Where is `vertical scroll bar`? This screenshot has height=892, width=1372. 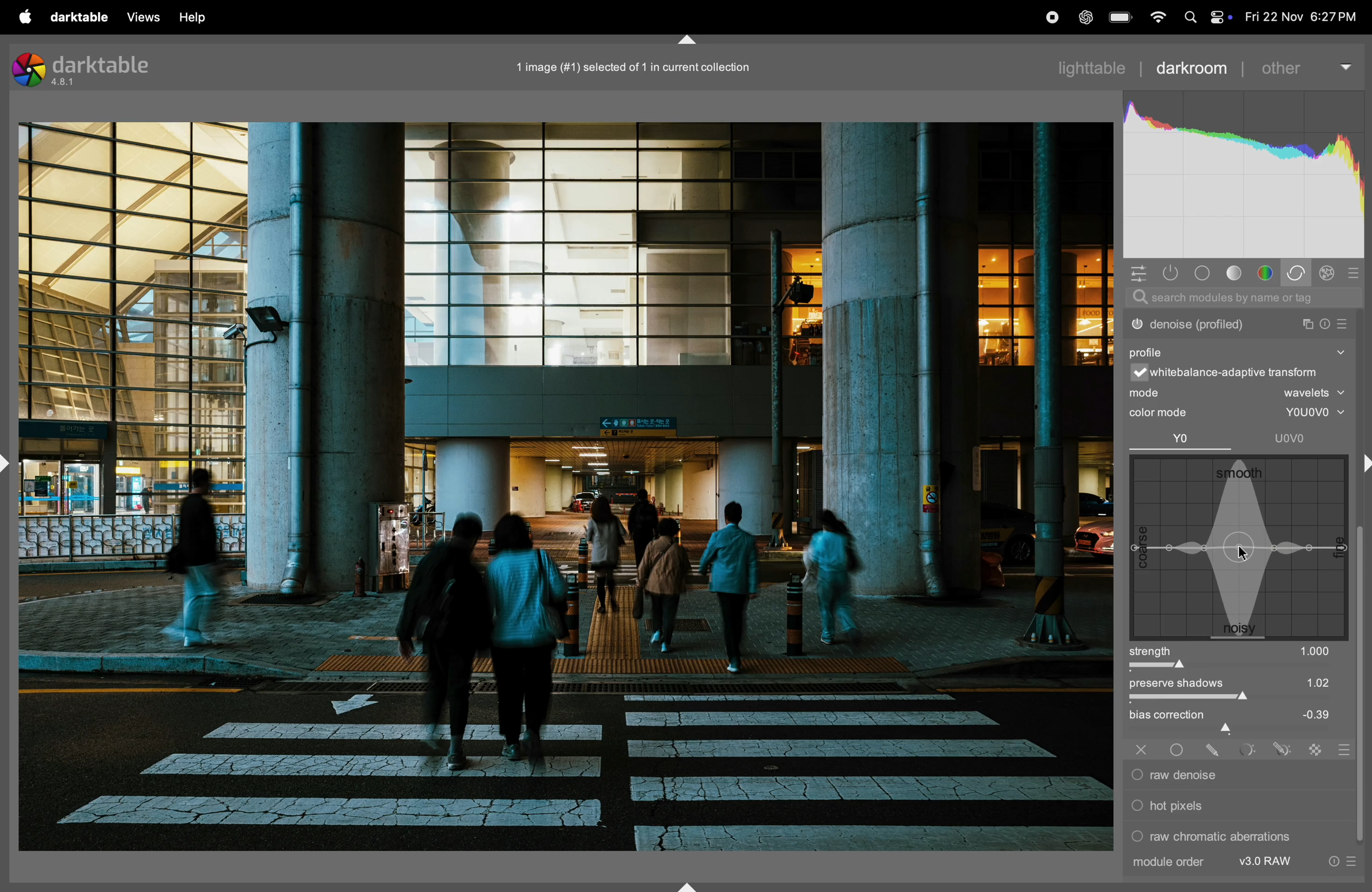
vertical scroll bar is located at coordinates (1363, 686).